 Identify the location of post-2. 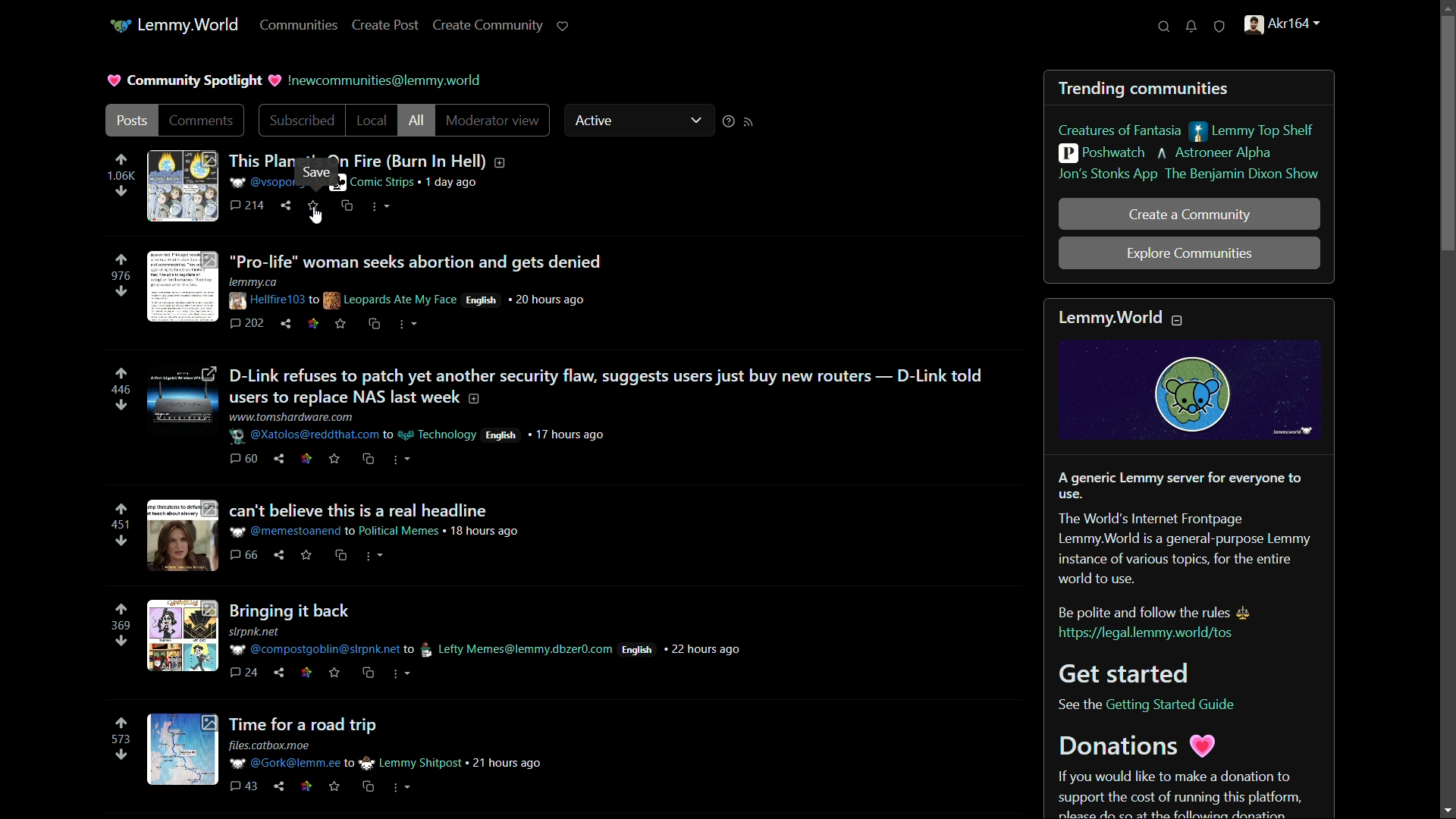
(378, 289).